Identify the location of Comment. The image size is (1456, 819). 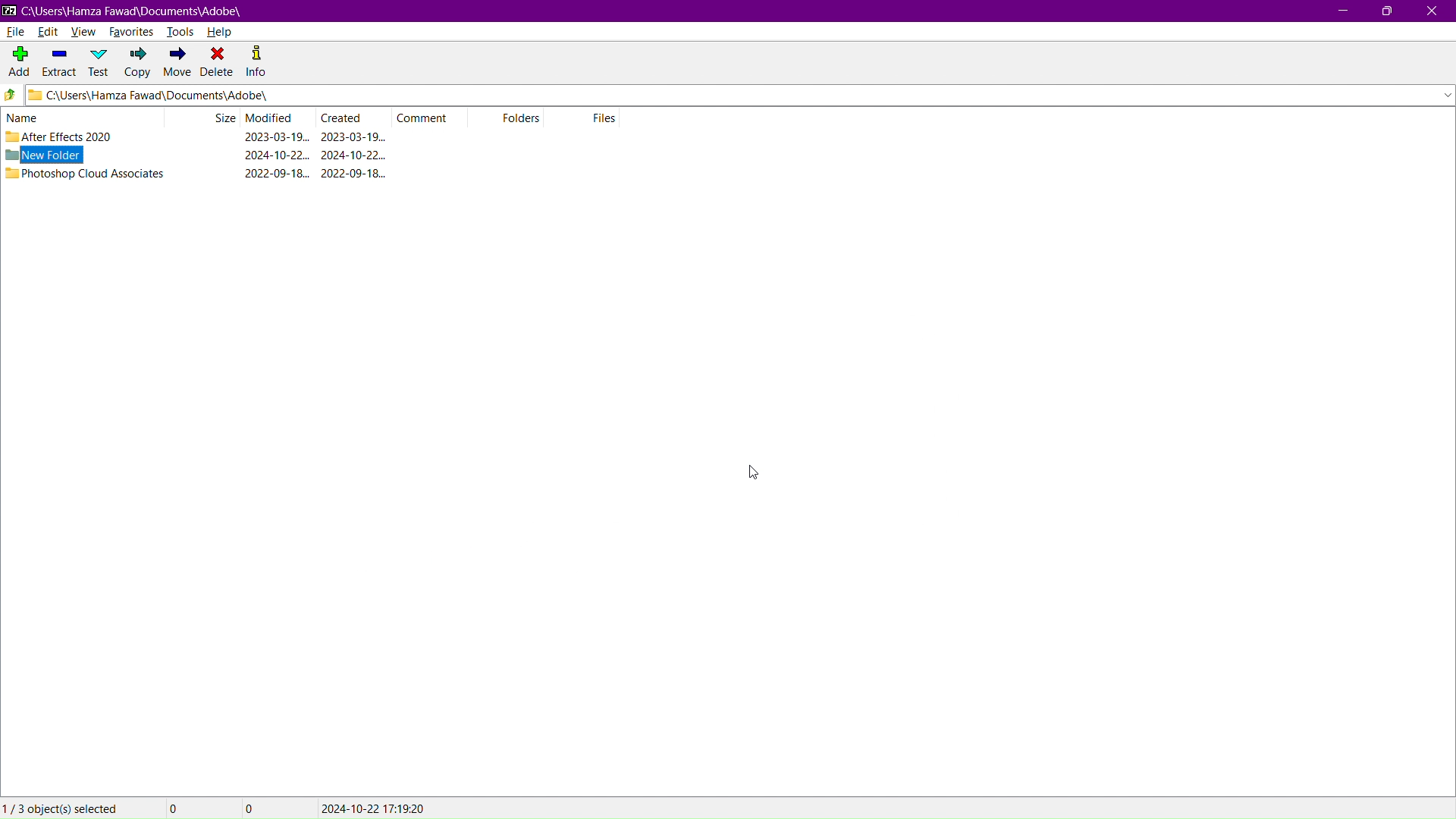
(435, 117).